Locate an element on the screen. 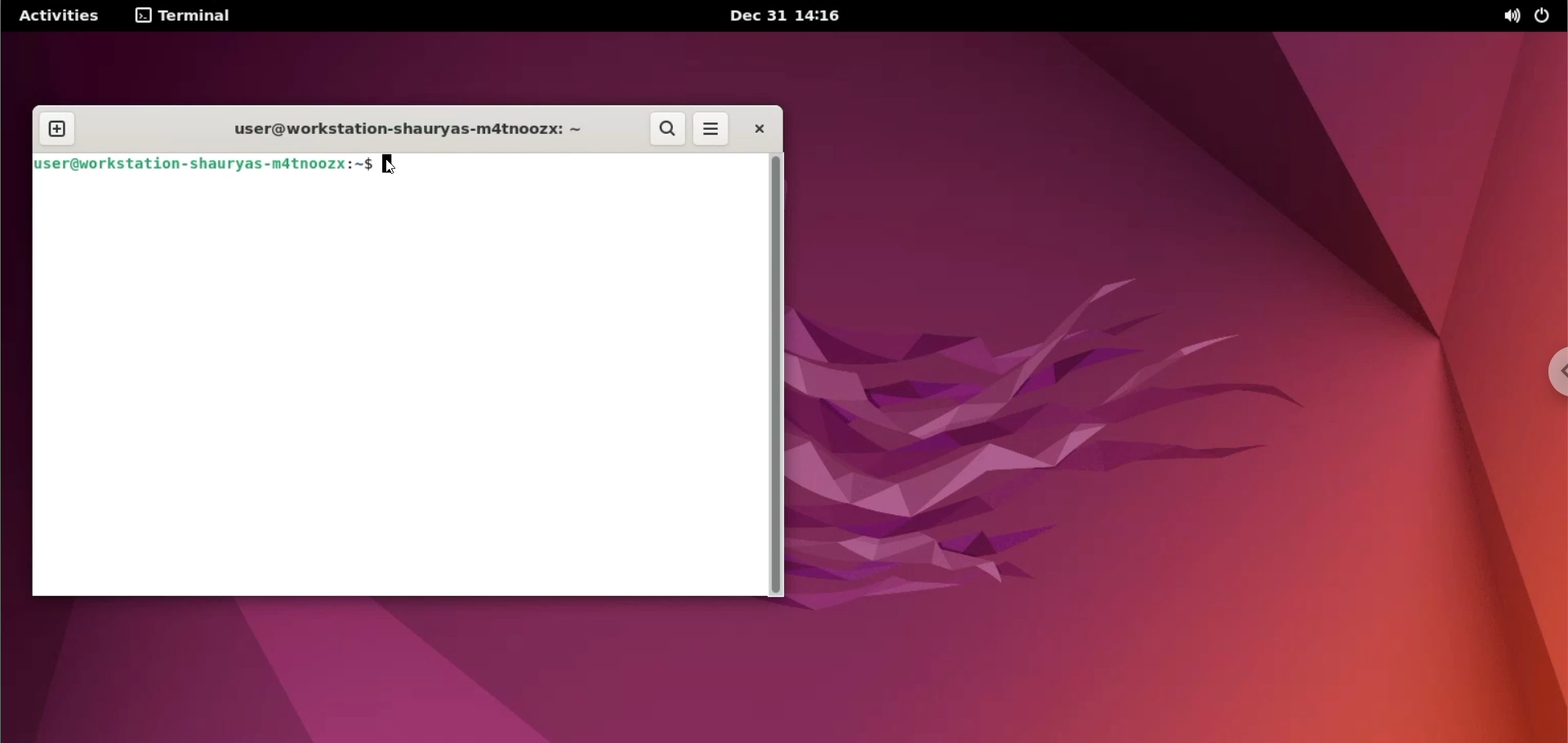 This screenshot has height=743, width=1568. terminal  is located at coordinates (185, 16).